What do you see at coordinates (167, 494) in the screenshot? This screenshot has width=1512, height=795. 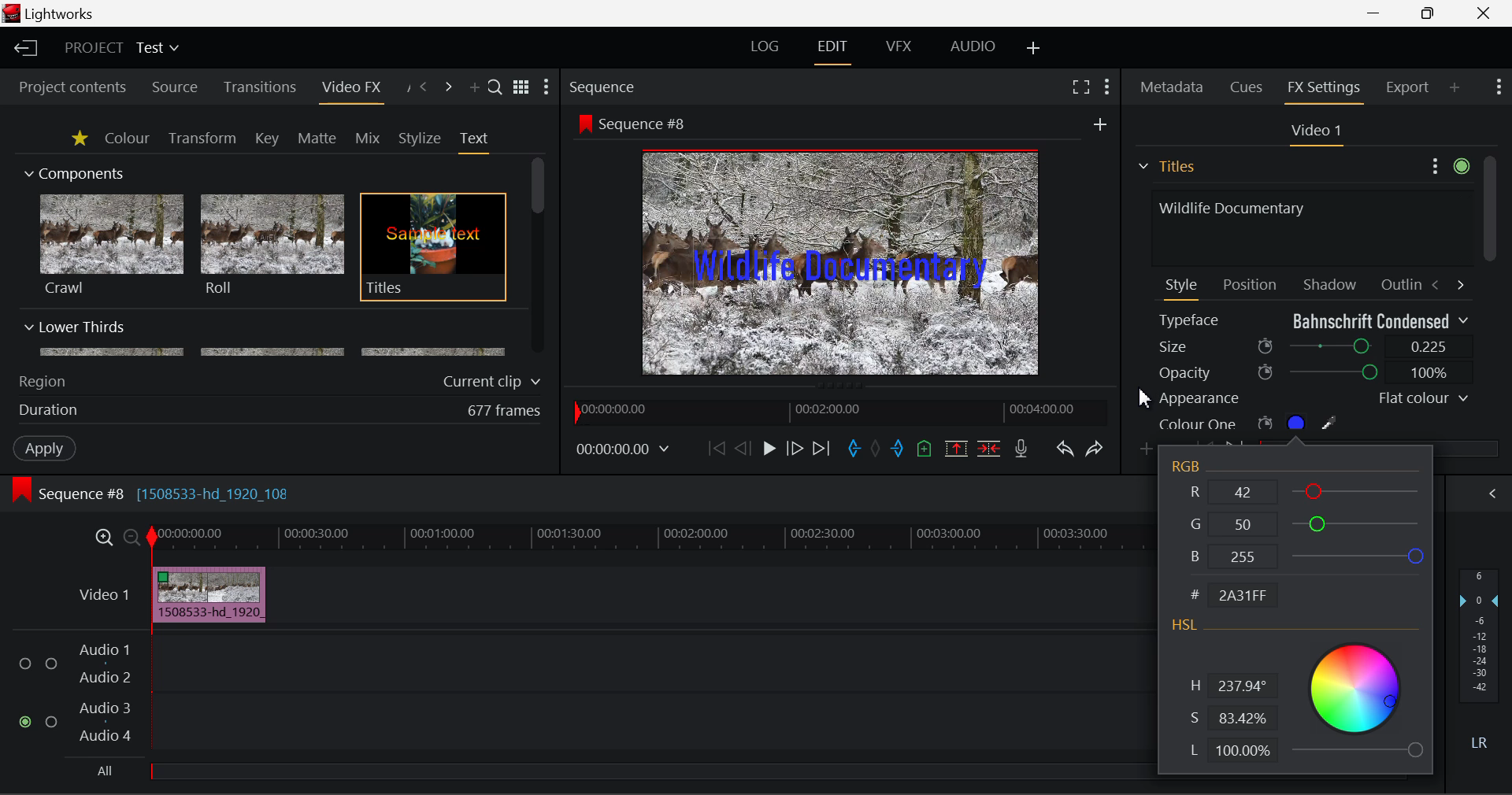 I see `Sequence #8 [1508533-hd_1920_108` at bounding box center [167, 494].